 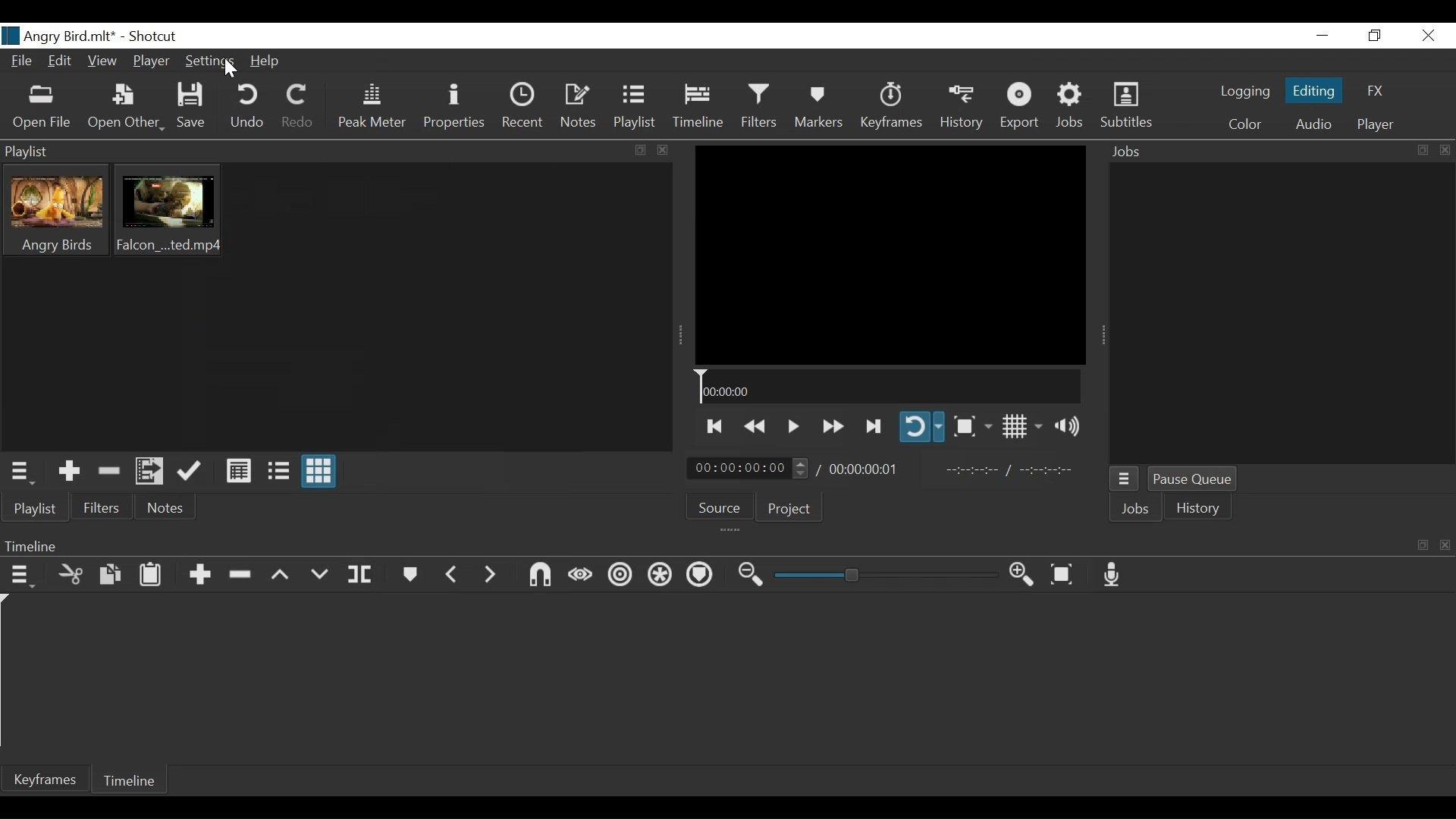 I want to click on Toggle Zoom, so click(x=971, y=426).